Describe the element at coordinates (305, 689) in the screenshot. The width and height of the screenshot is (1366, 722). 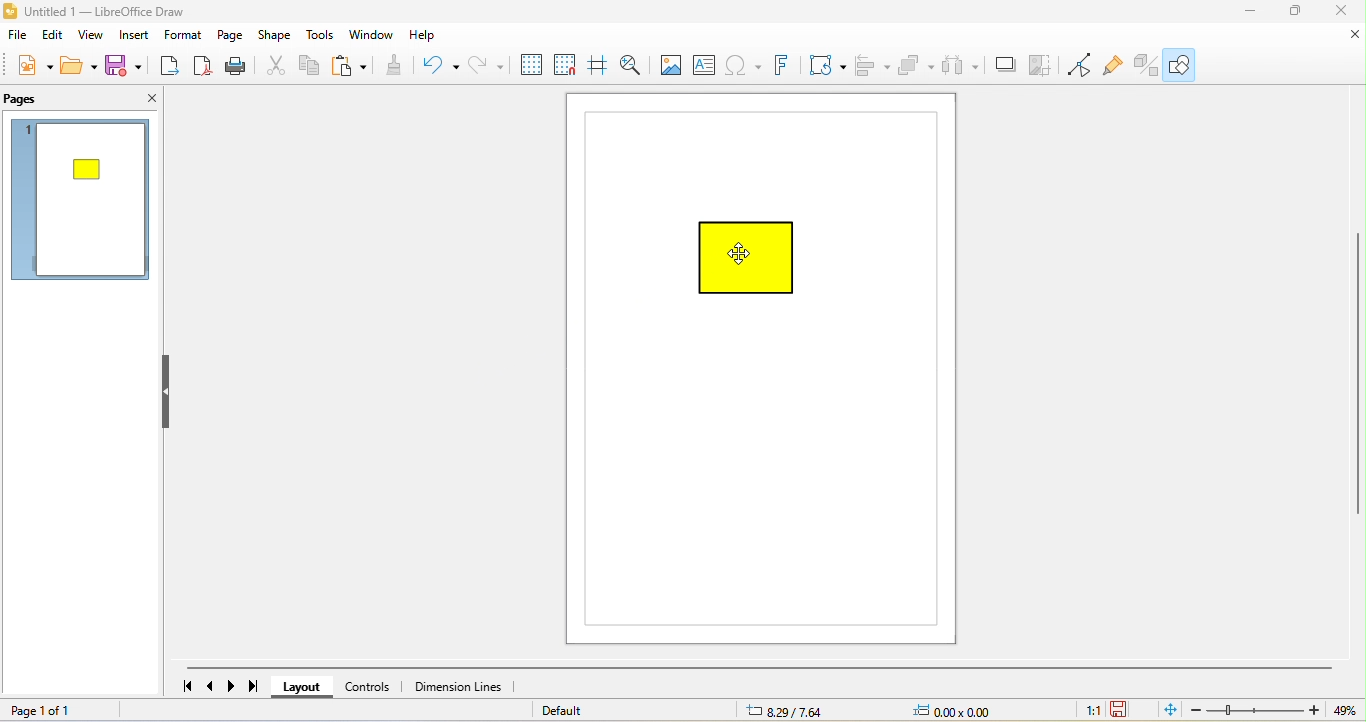
I see `layout` at that location.